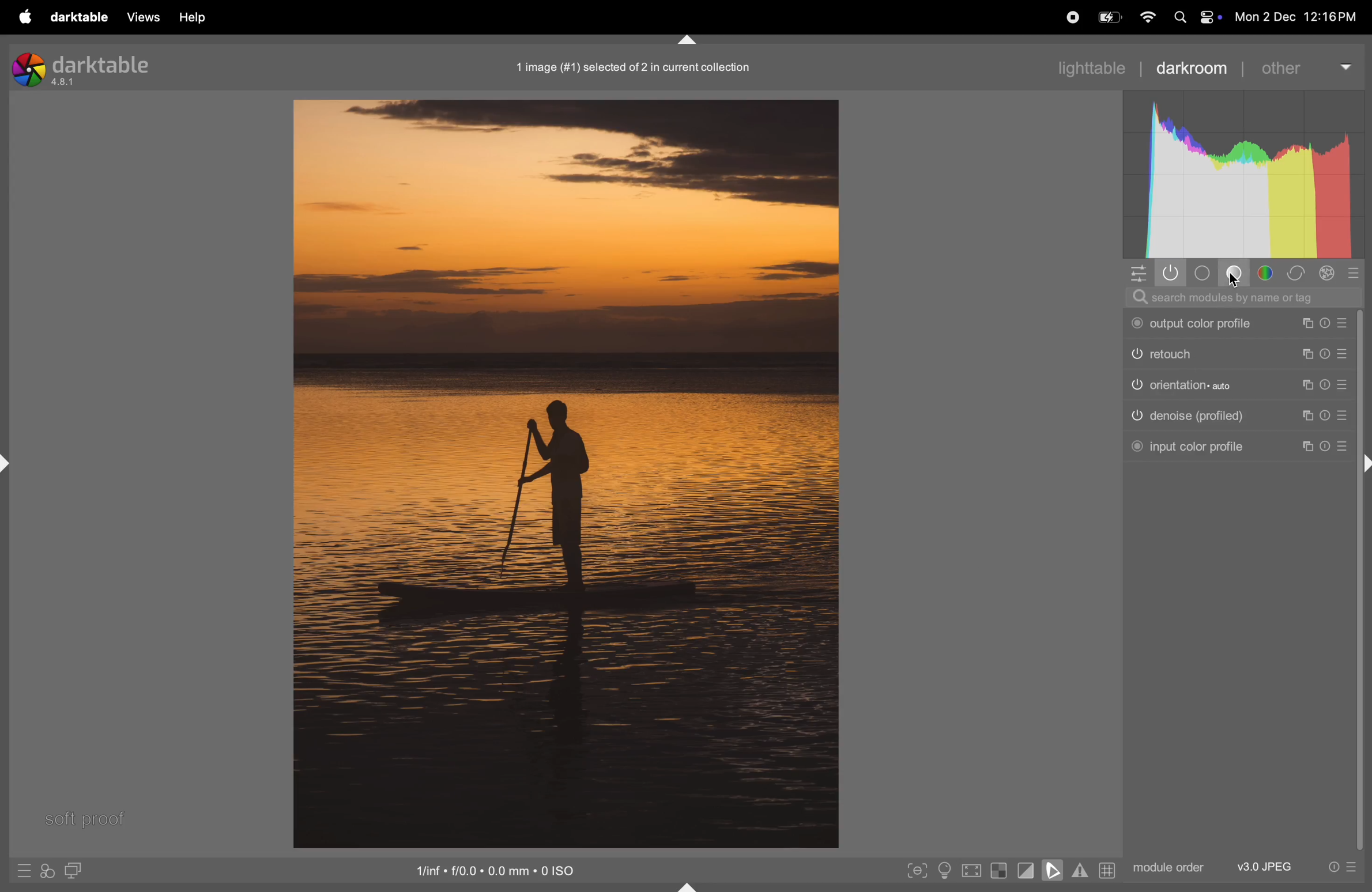 This screenshot has height=892, width=1372. I want to click on darktable version, so click(95, 66).